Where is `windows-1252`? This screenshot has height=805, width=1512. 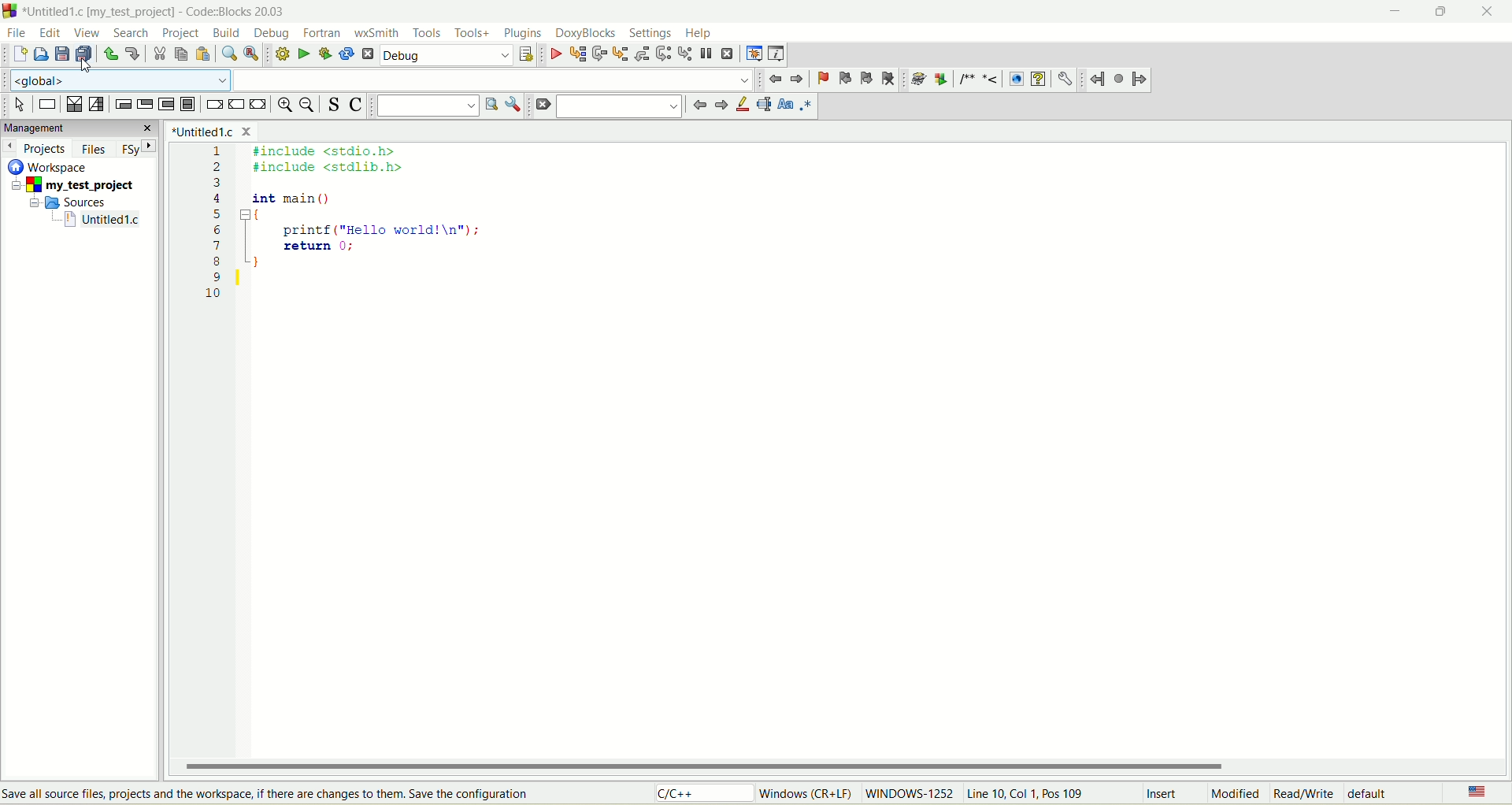
windows-1252 is located at coordinates (910, 796).